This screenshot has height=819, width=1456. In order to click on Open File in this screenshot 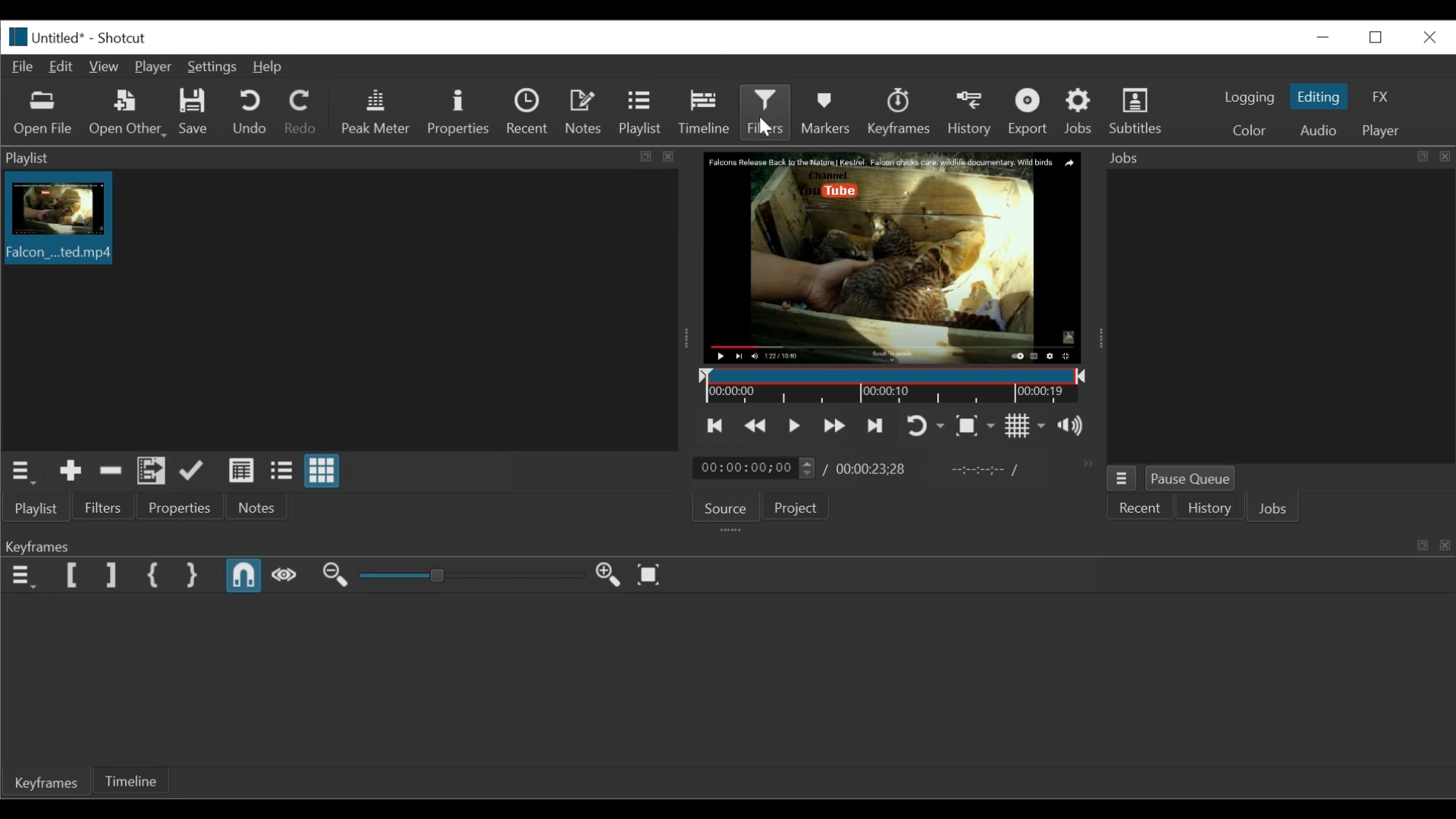, I will do `click(44, 115)`.